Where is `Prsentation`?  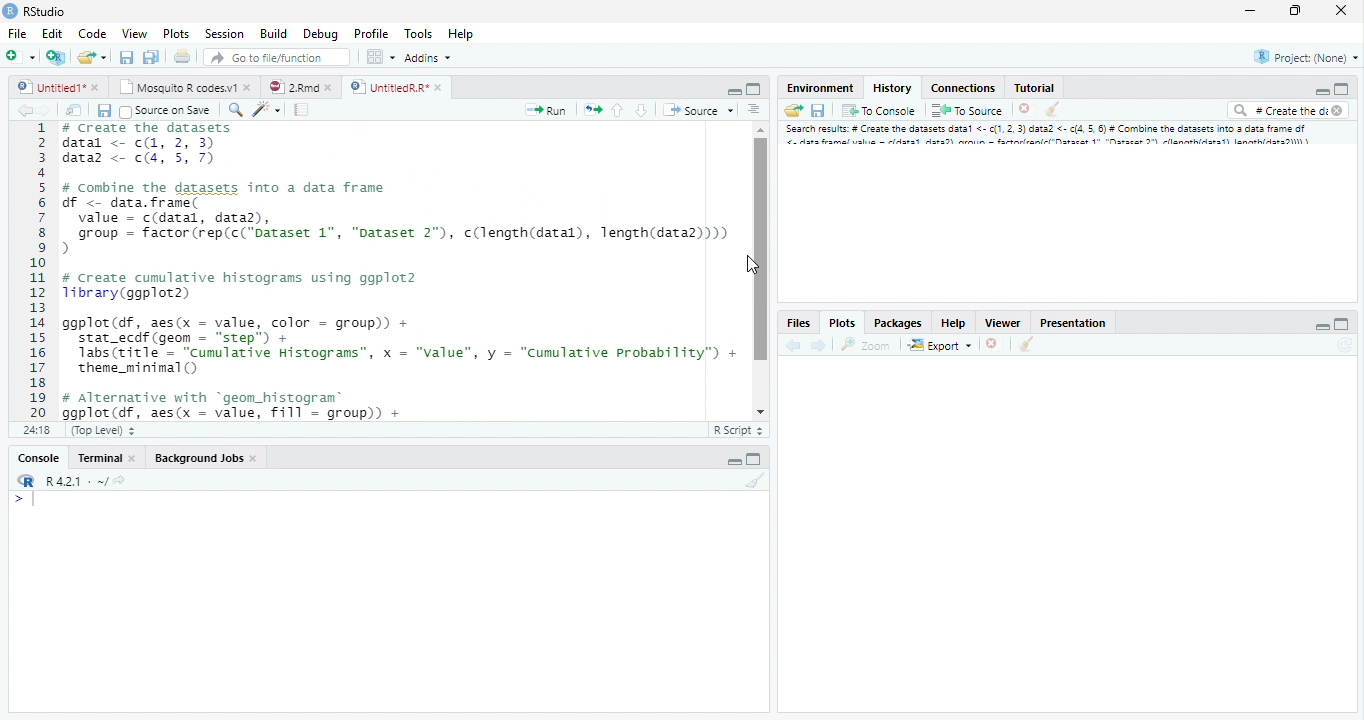 Prsentation is located at coordinates (1069, 321).